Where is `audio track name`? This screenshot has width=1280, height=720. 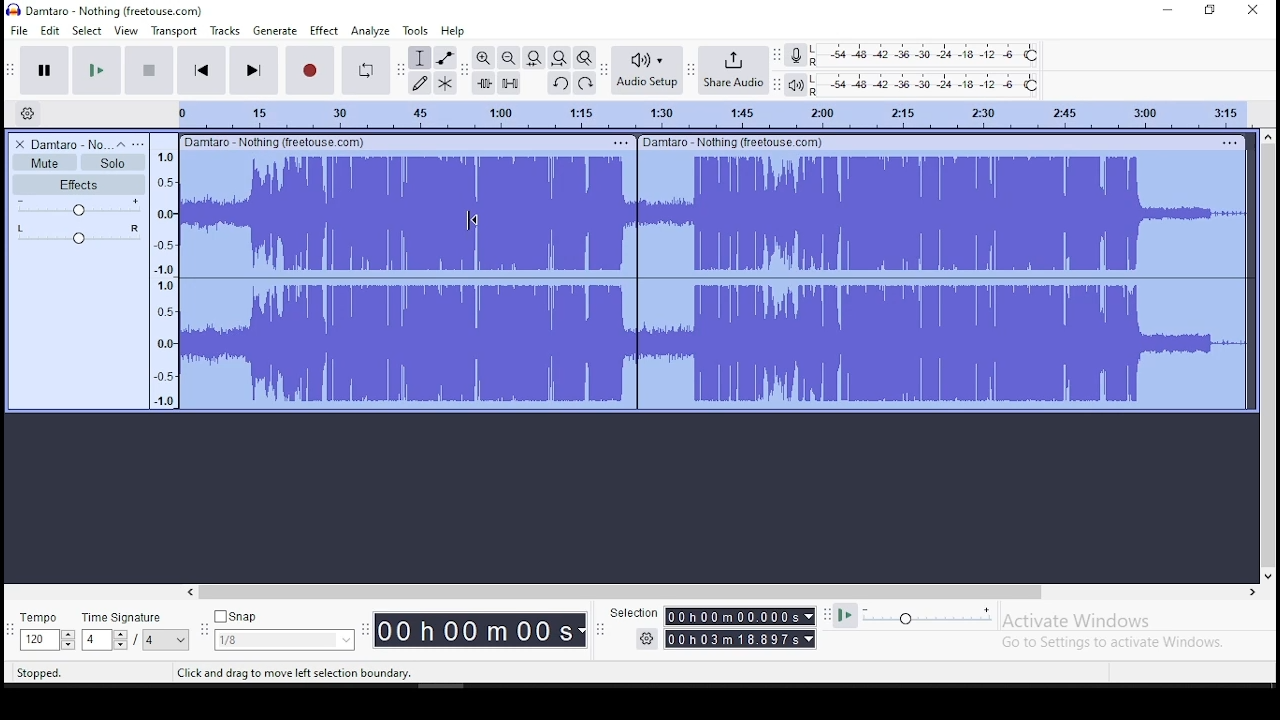
audio track name is located at coordinates (70, 145).